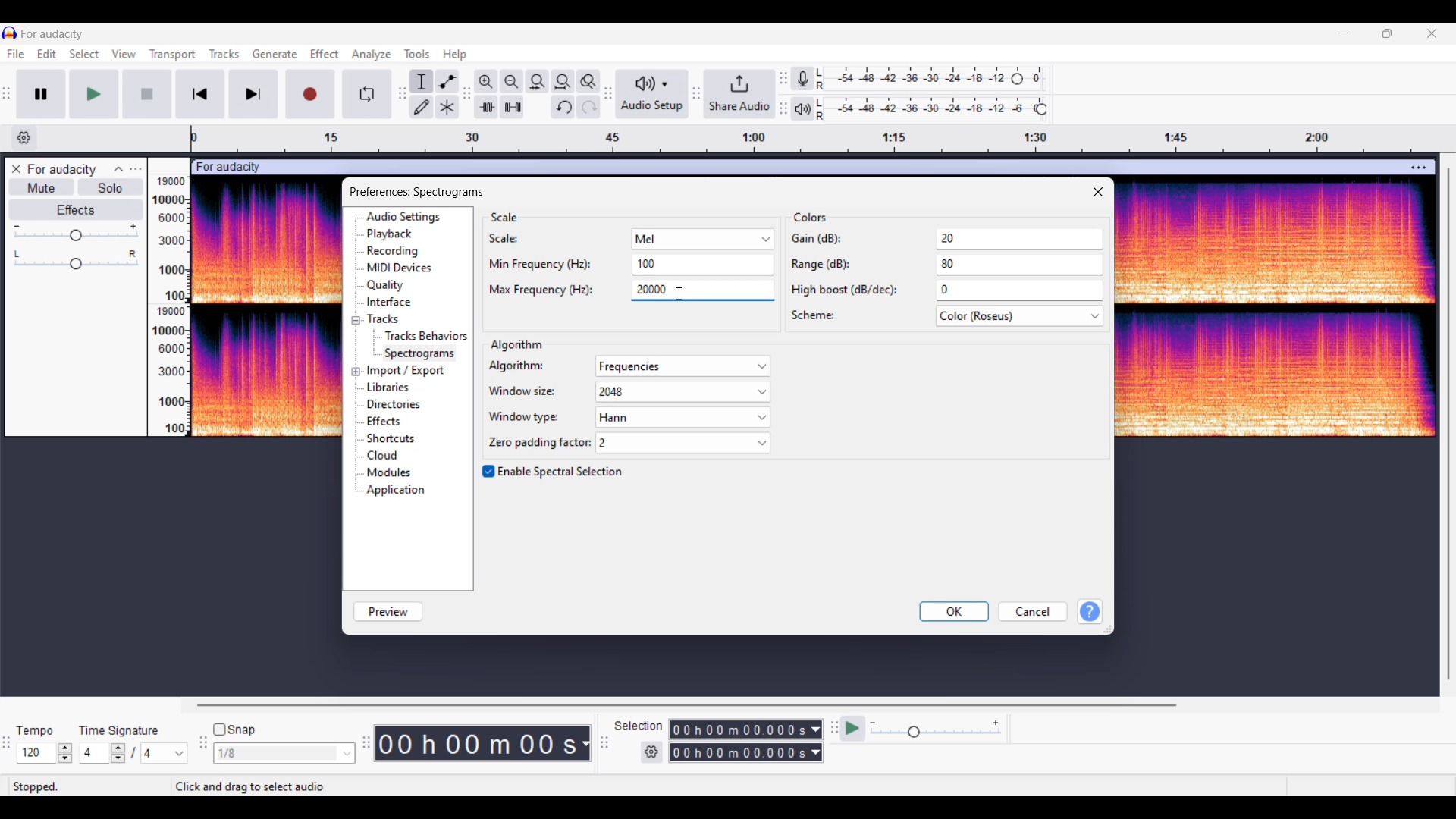 This screenshot has width=1456, height=819. Describe the element at coordinates (945, 268) in the screenshot. I see `range` at that location.